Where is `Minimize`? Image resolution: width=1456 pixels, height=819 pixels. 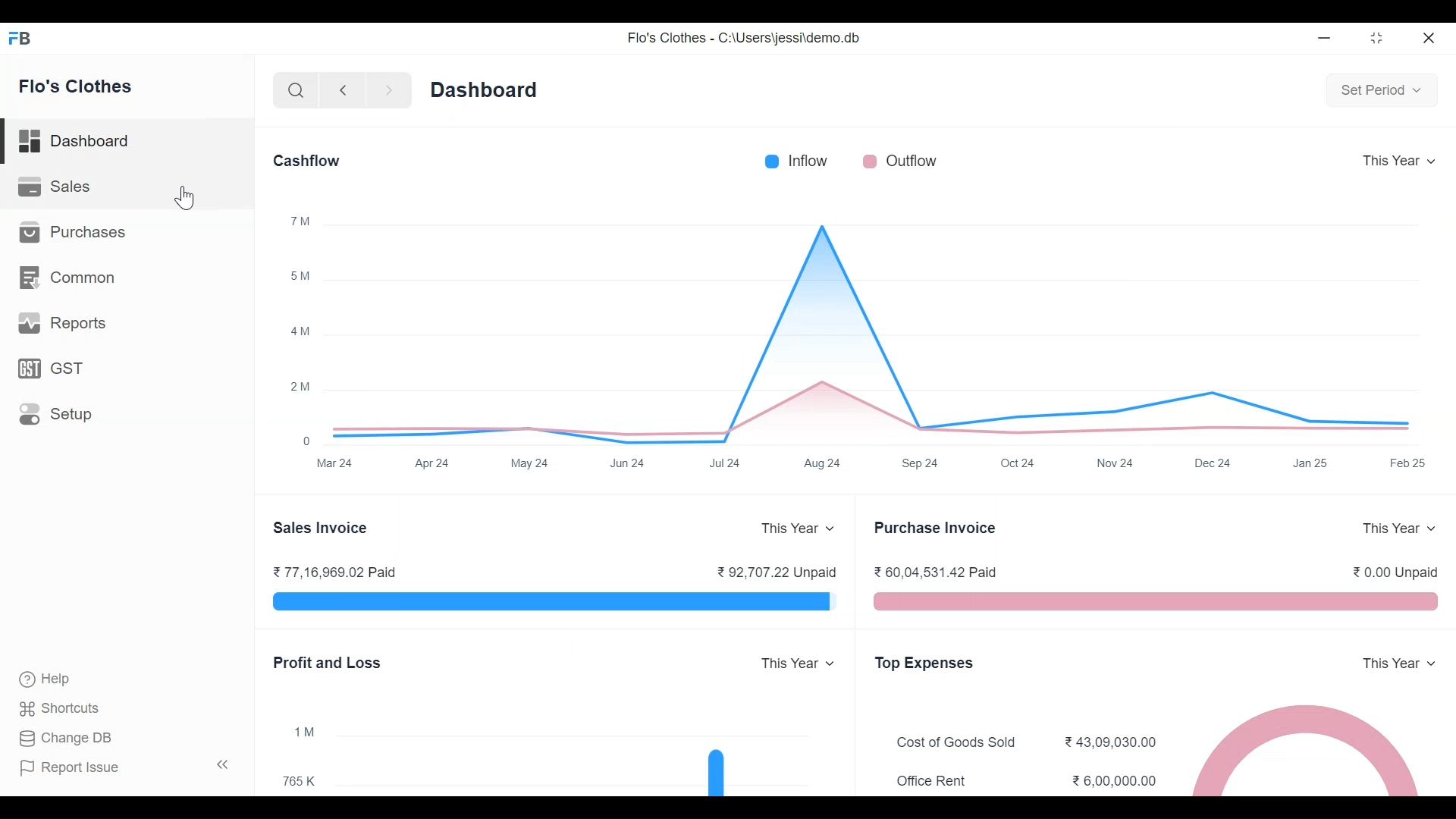
Minimize is located at coordinates (1324, 39).